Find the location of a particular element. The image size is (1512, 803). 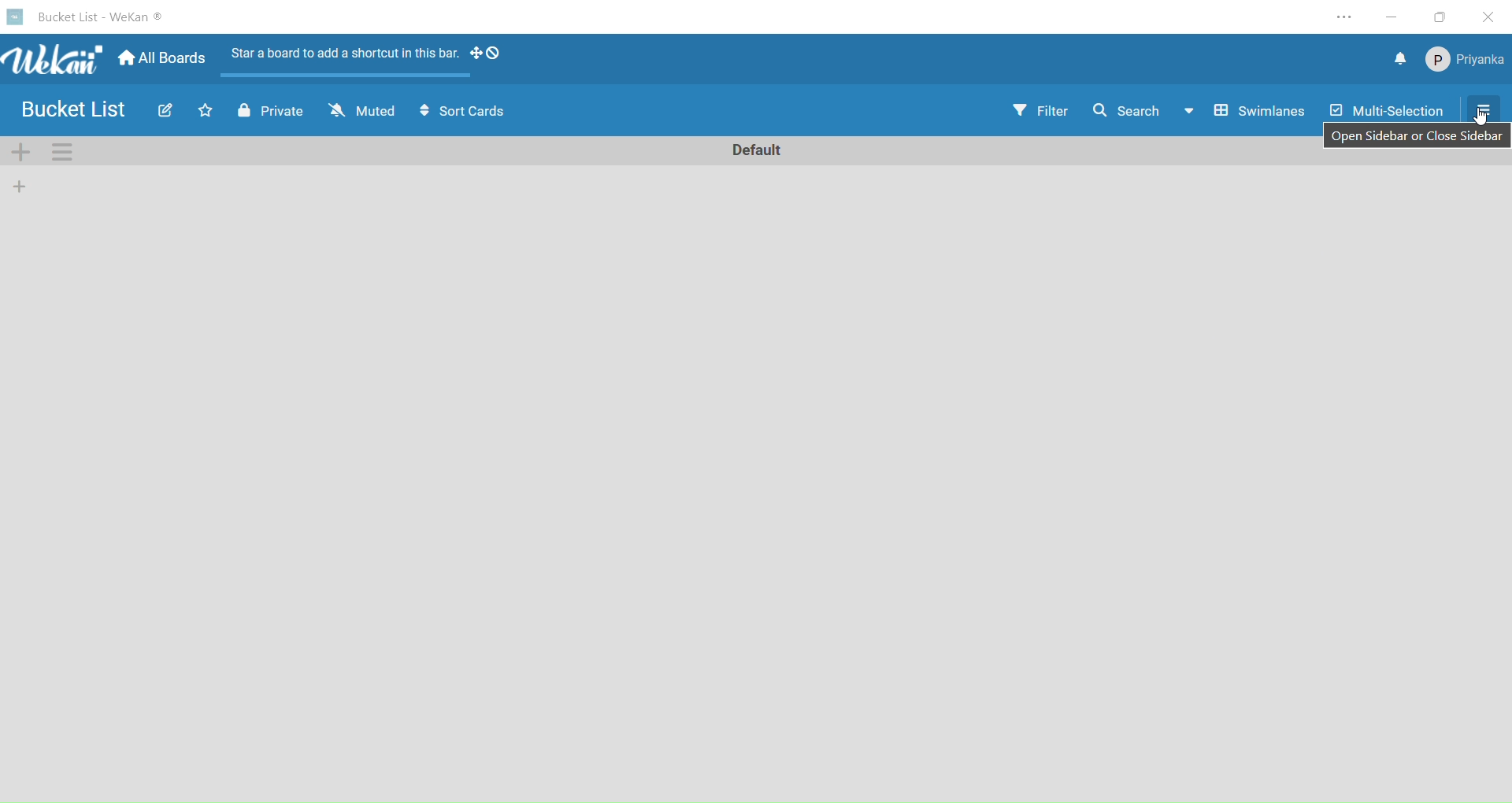

filter is located at coordinates (1038, 111).